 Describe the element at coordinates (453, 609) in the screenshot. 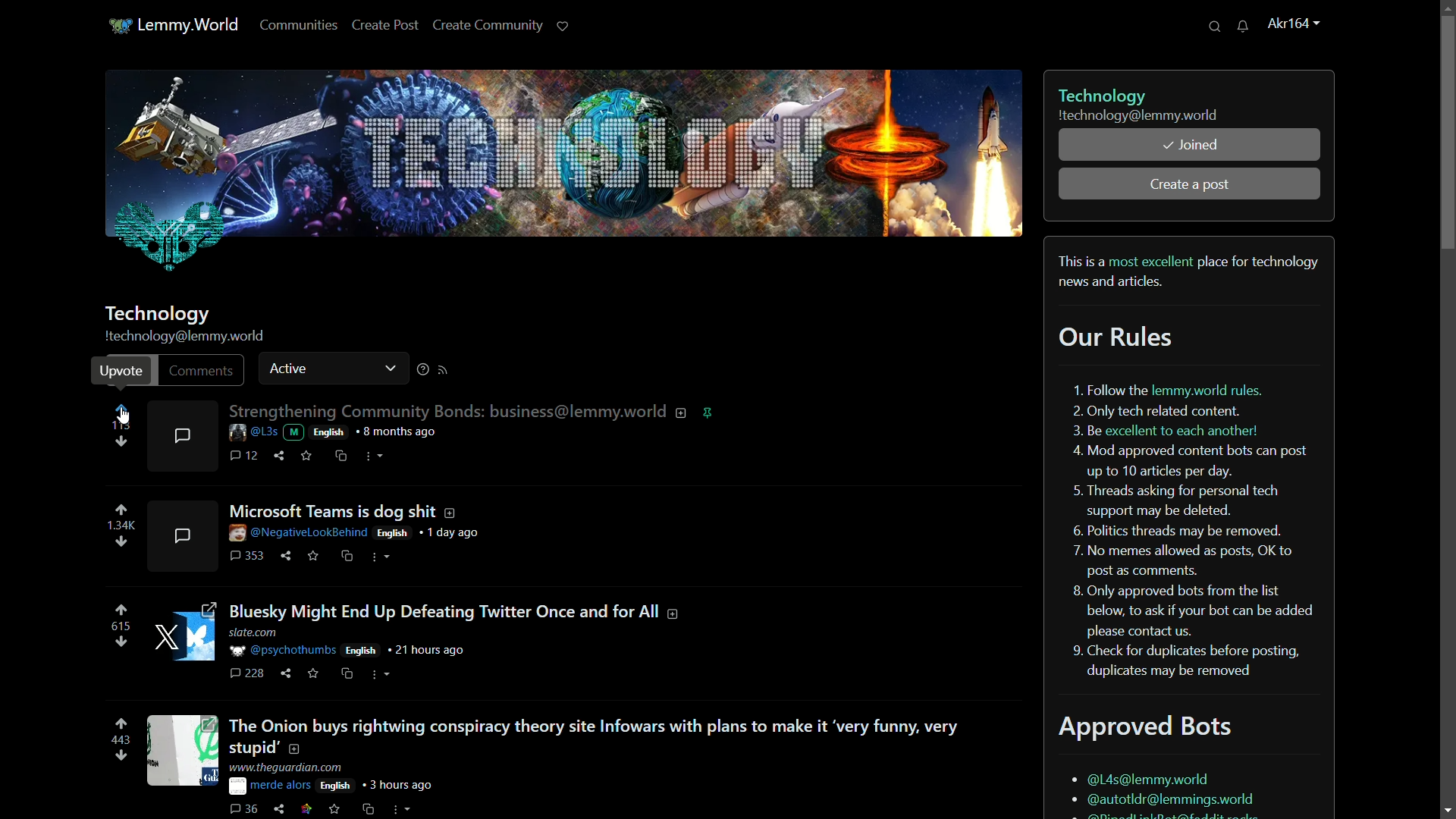

I see `post-3` at that location.